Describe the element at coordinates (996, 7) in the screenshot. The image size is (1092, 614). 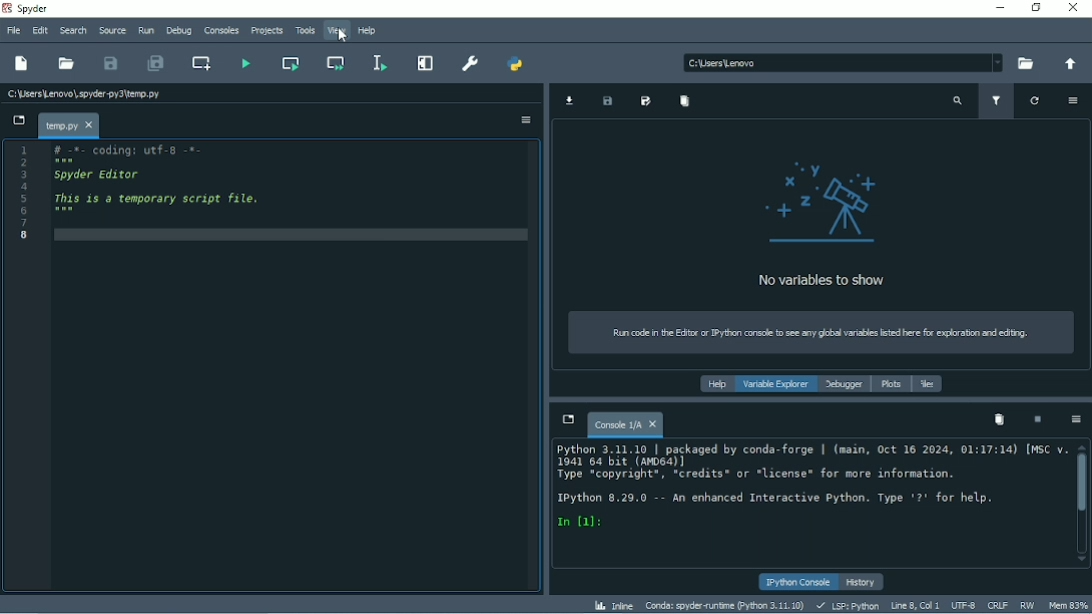
I see `Minimize` at that location.